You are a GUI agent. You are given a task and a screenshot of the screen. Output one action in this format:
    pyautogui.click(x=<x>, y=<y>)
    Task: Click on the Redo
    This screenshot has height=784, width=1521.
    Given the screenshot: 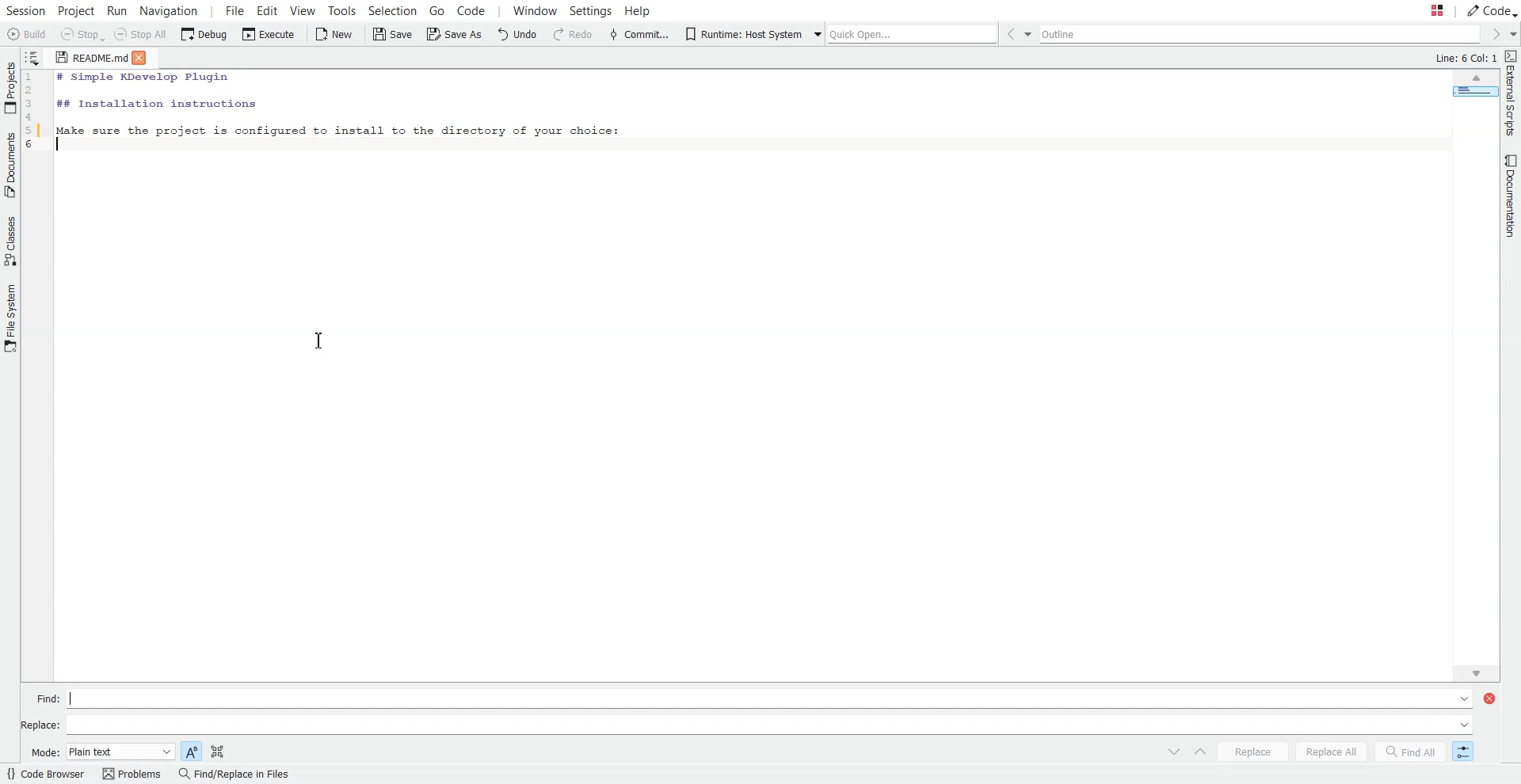 What is the action you would take?
    pyautogui.click(x=573, y=35)
    